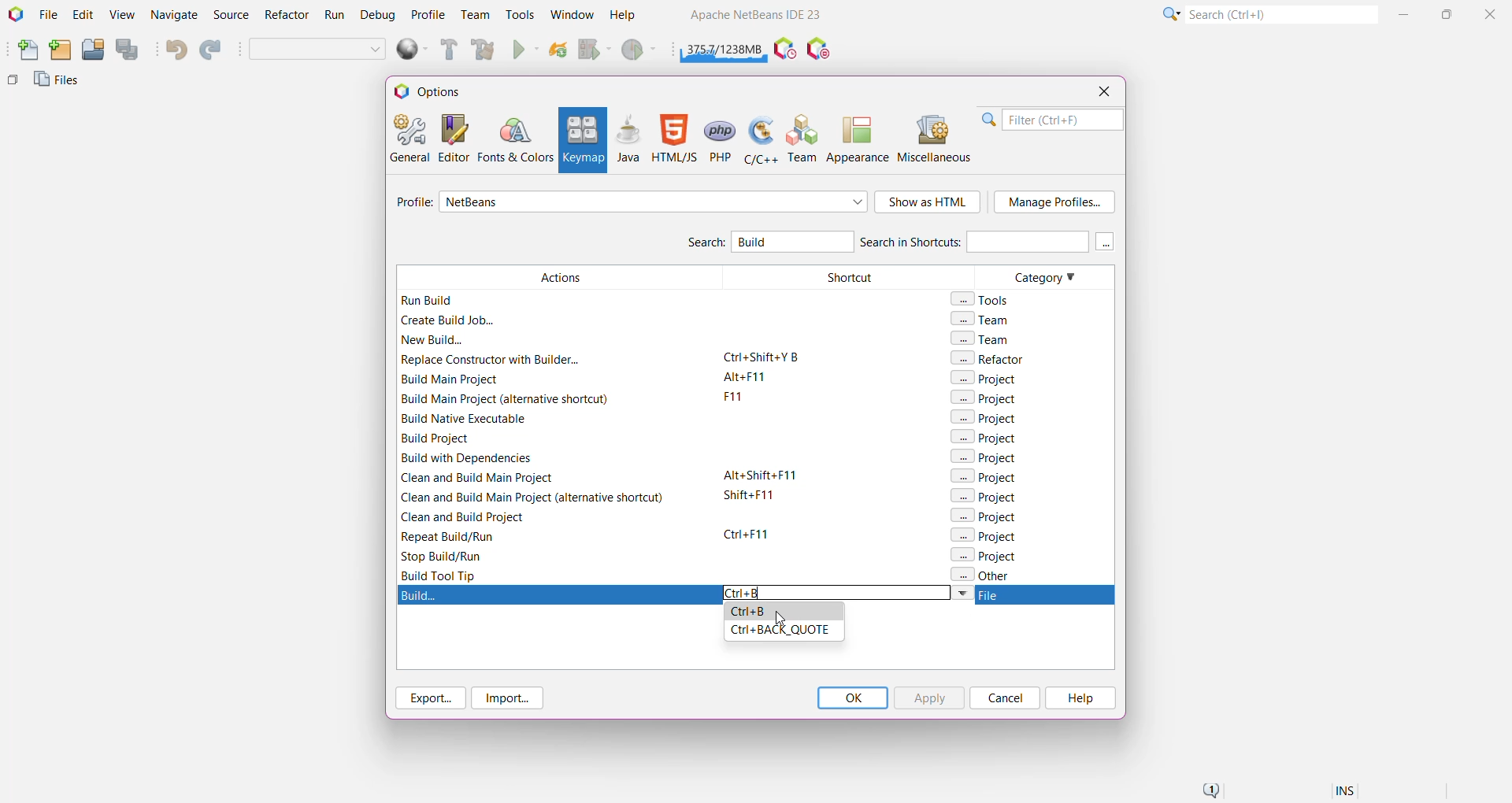 This screenshot has height=803, width=1512. What do you see at coordinates (581, 140) in the screenshot?
I see `Keymap` at bounding box center [581, 140].